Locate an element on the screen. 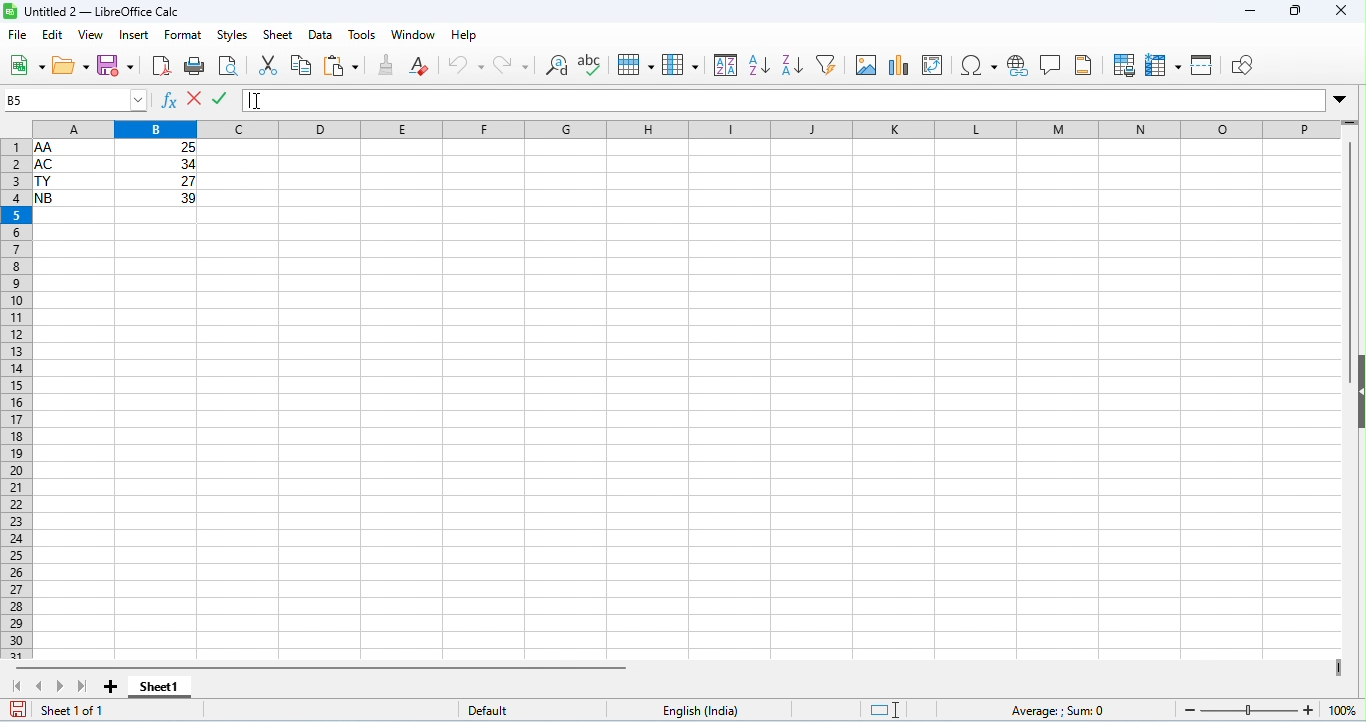  formula bar is located at coordinates (783, 100).